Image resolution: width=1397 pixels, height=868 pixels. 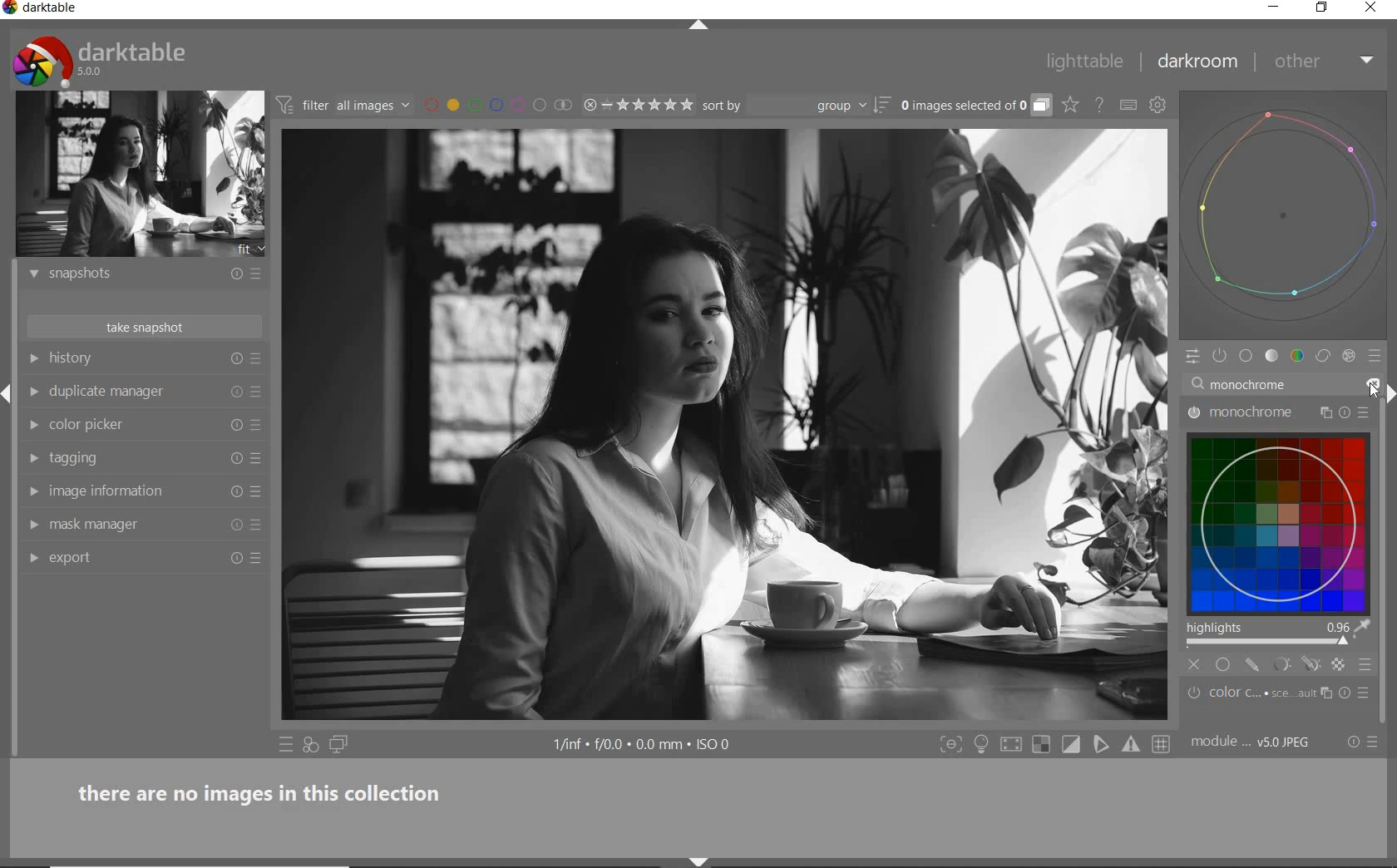 What do you see at coordinates (344, 107) in the screenshot?
I see `filter images based on their module order` at bounding box center [344, 107].